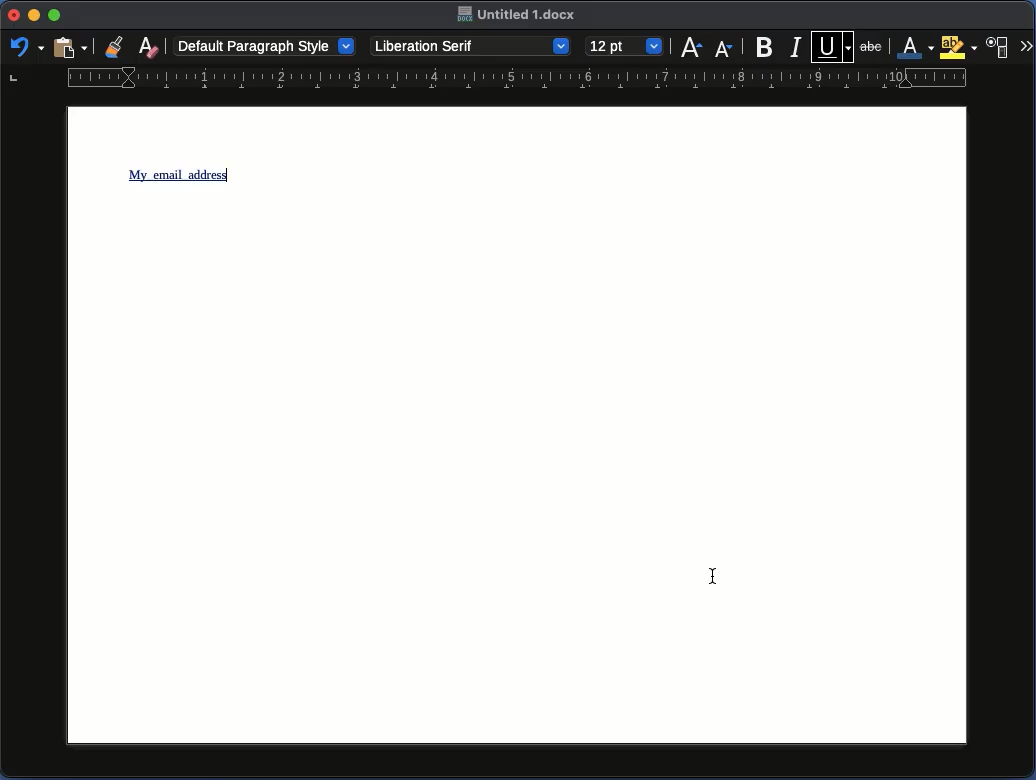 The height and width of the screenshot is (780, 1036). I want to click on Minimize, so click(34, 16).